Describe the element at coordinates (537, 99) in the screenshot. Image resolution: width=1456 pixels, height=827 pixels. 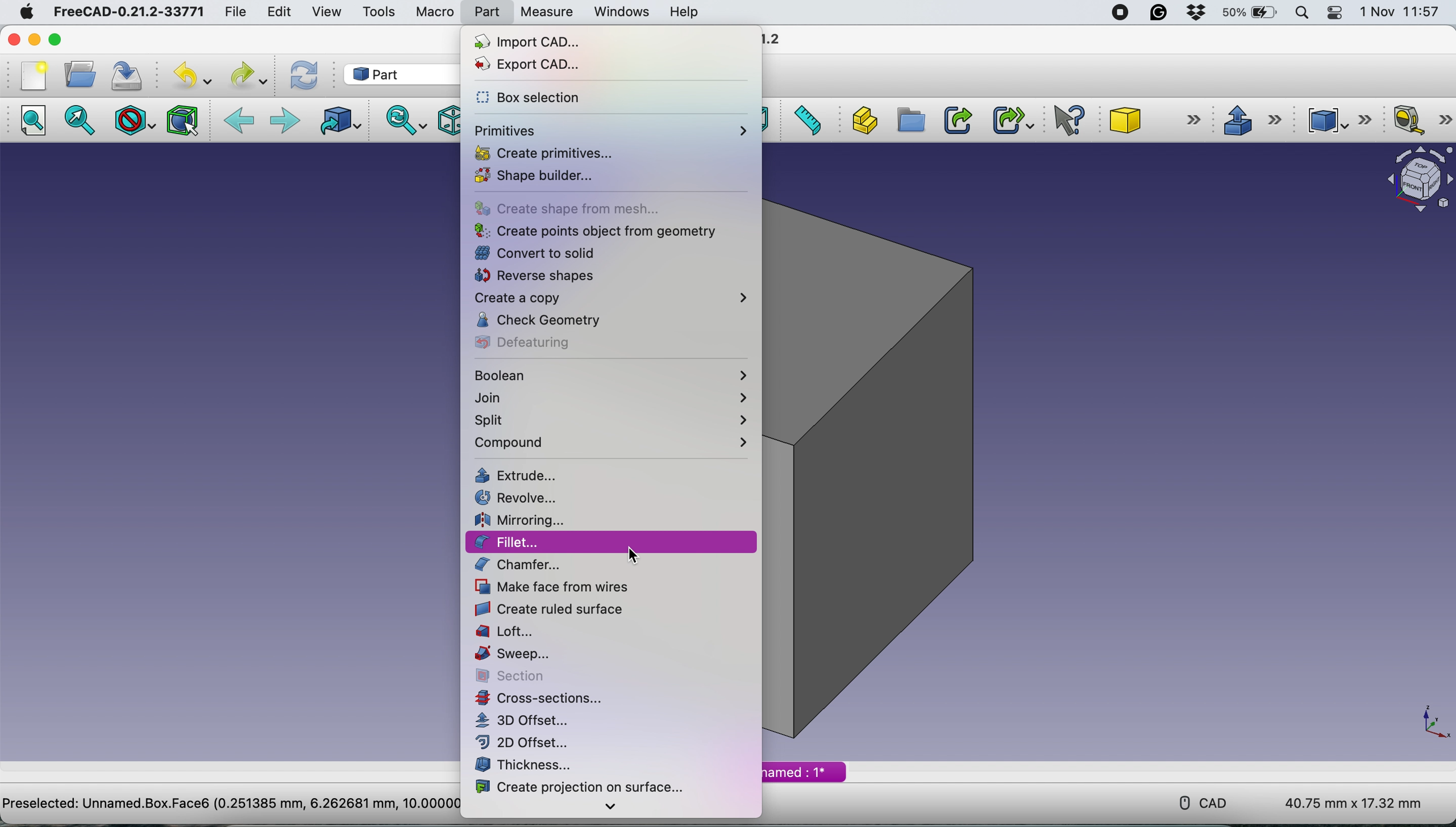
I see `box selection` at that location.